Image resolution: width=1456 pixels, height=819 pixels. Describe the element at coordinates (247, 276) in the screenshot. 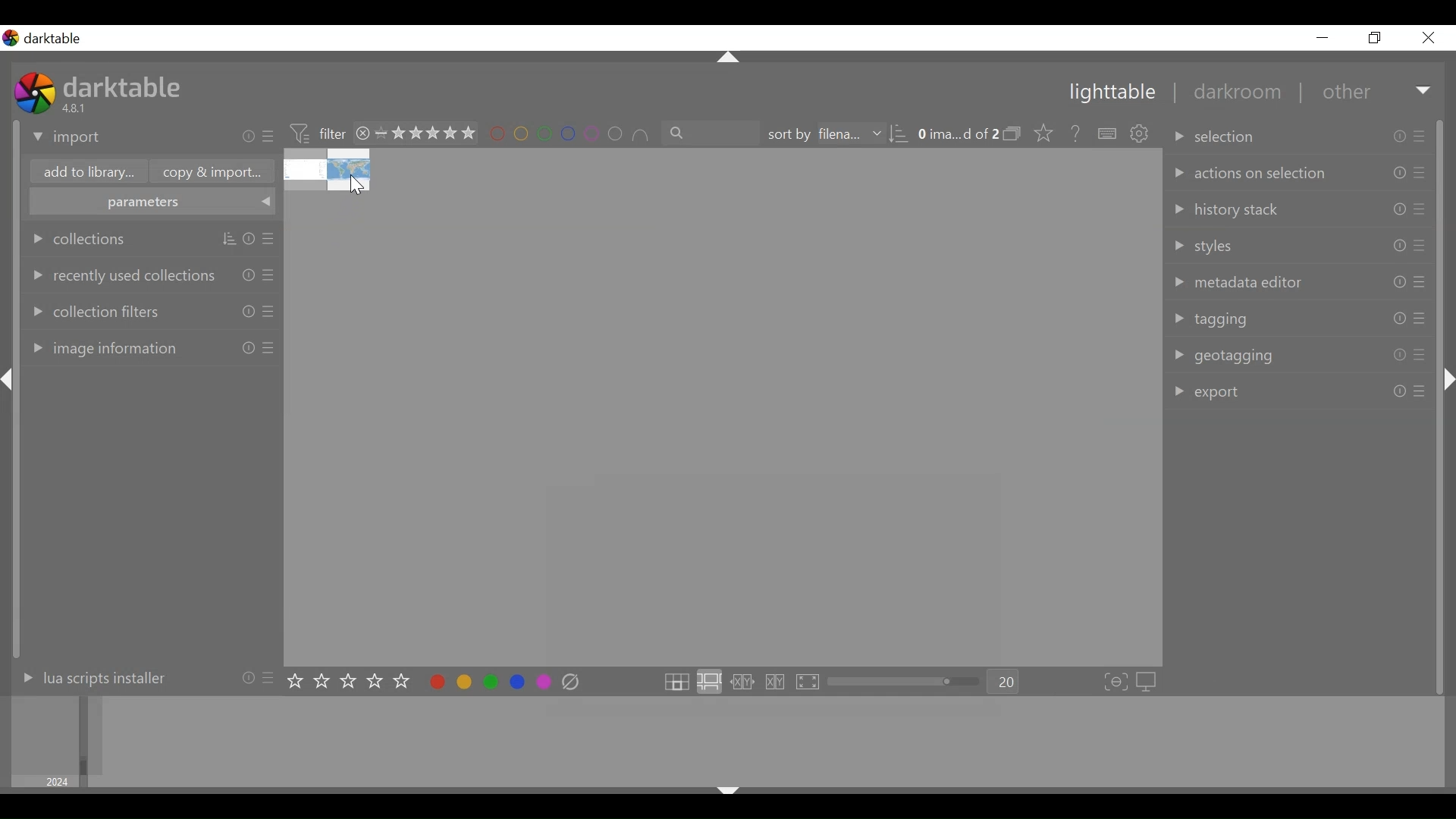

I see `` at that location.